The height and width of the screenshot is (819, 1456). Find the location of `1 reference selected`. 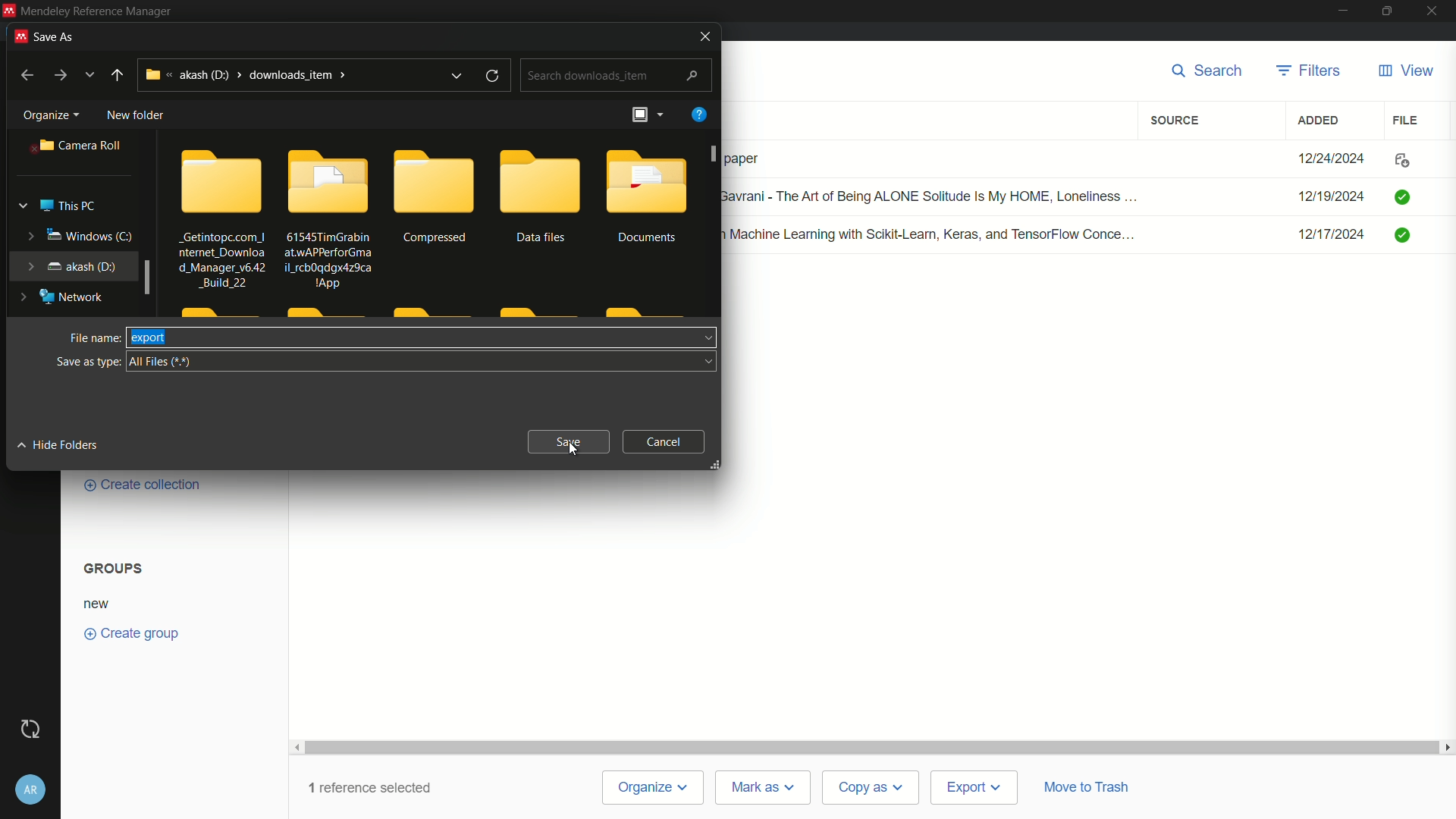

1 reference selected is located at coordinates (375, 787).